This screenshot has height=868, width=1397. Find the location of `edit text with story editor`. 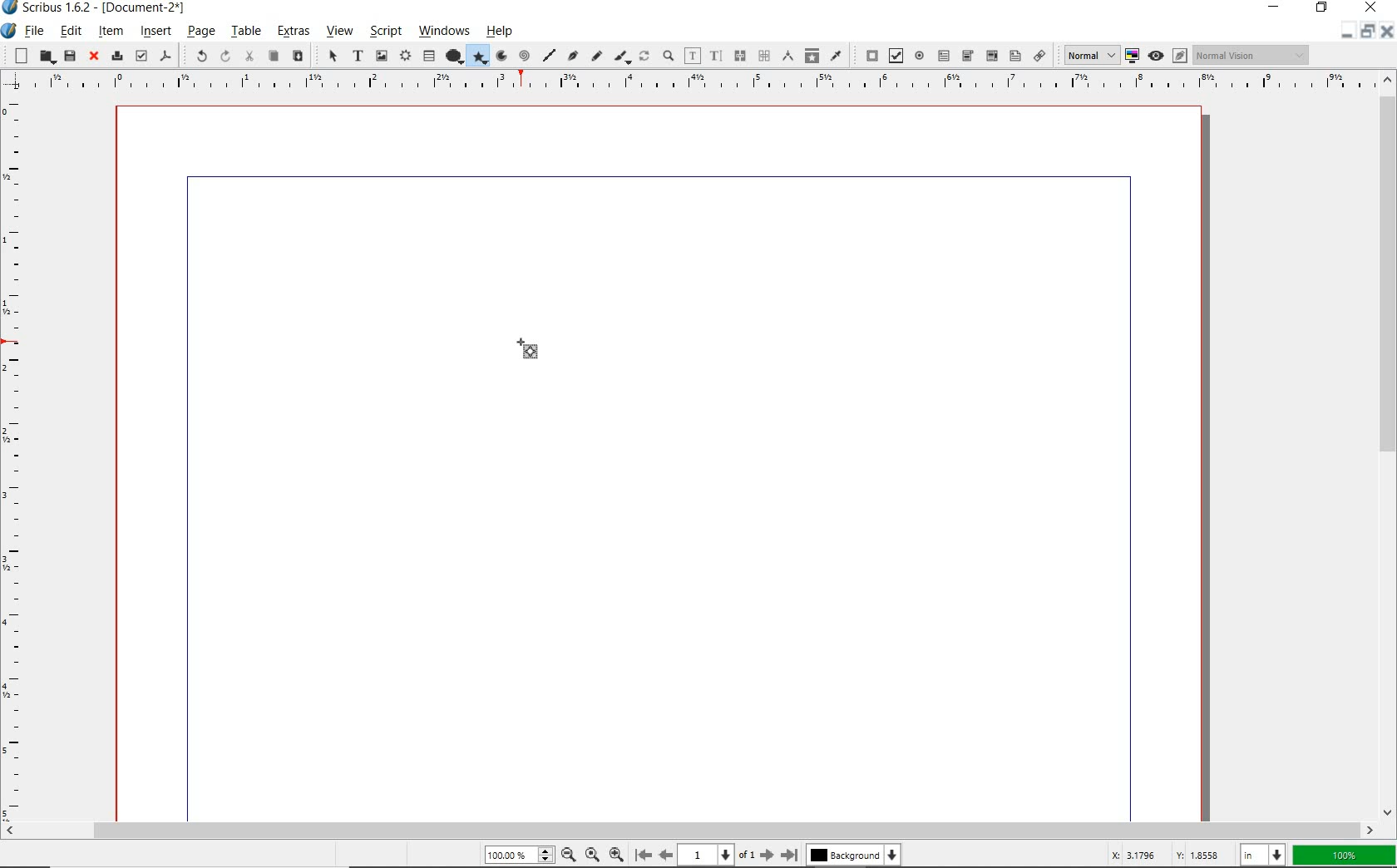

edit text with story editor is located at coordinates (717, 55).